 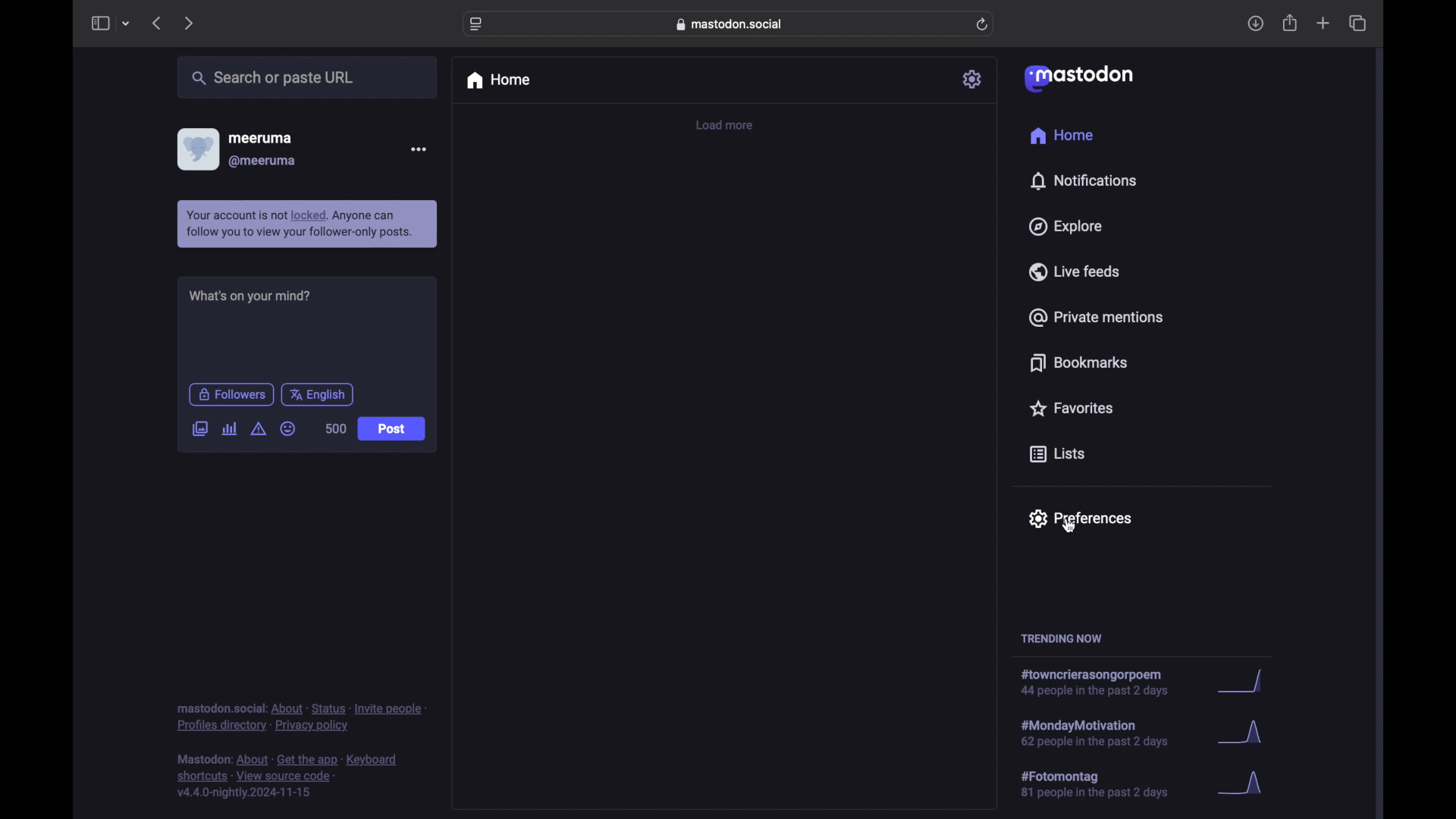 What do you see at coordinates (1291, 23) in the screenshot?
I see `share` at bounding box center [1291, 23].